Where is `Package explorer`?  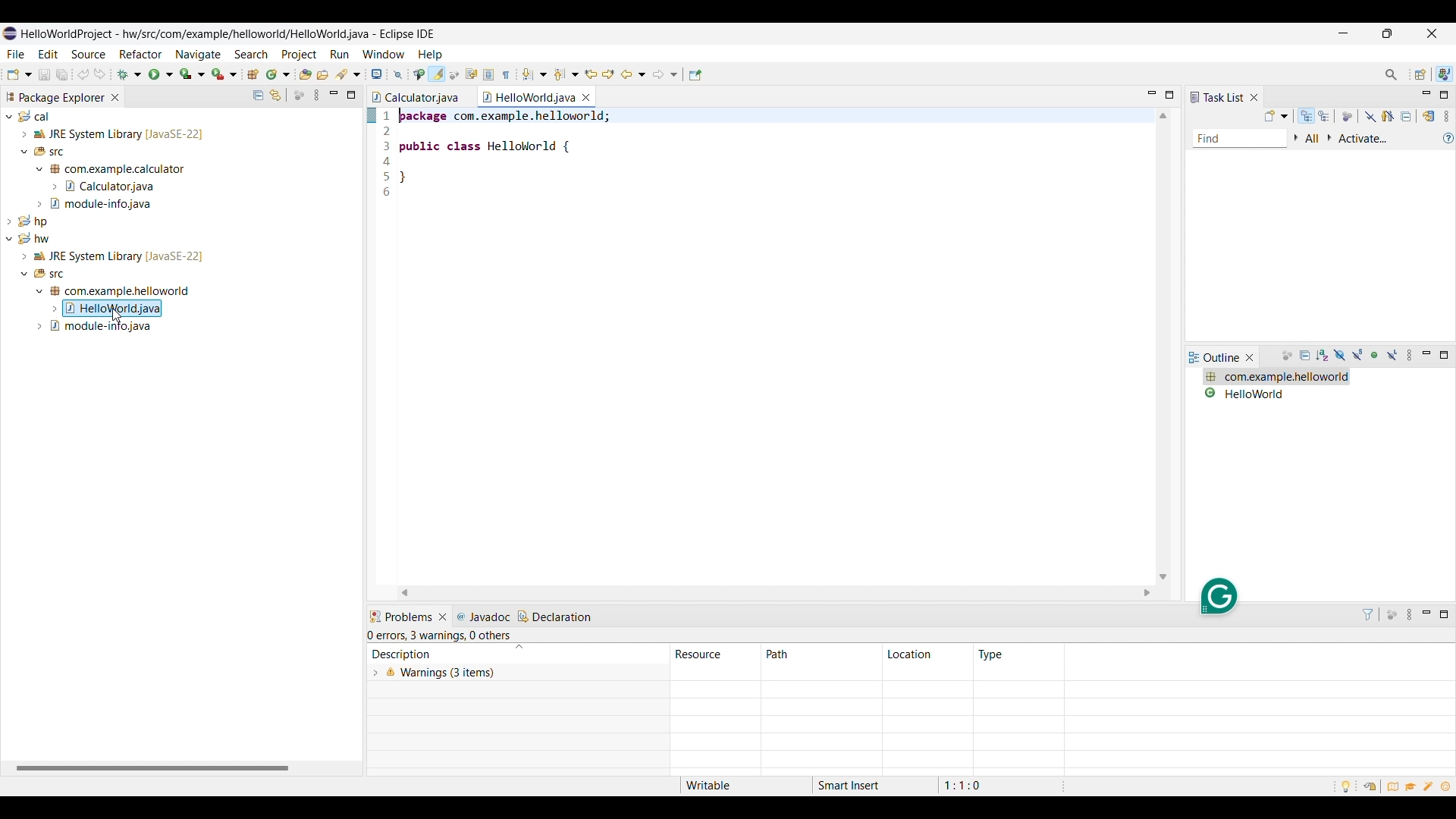
Package explorer is located at coordinates (55, 97).